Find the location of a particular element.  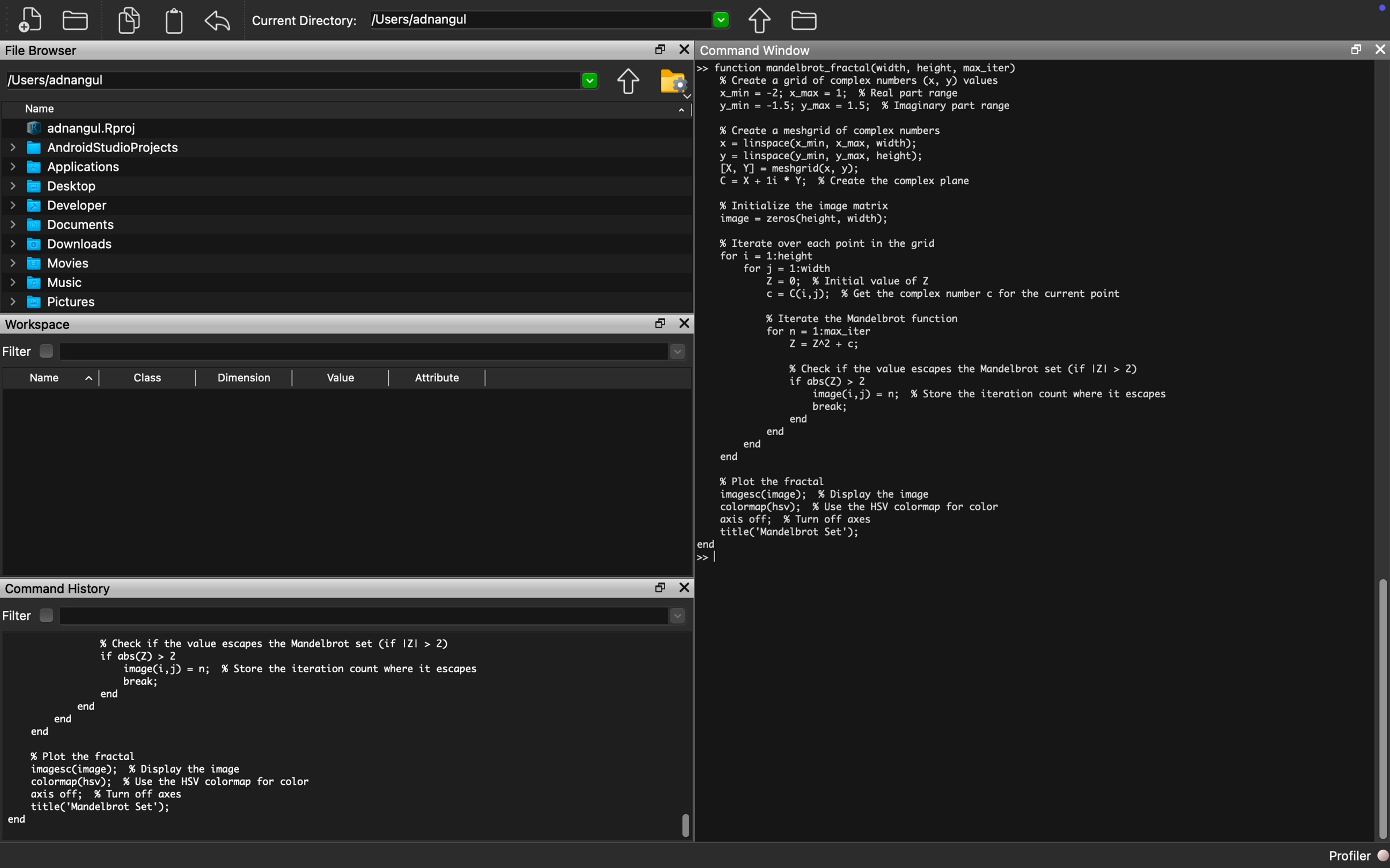

% Initialize the image matri
image = zeros(height, width); is located at coordinates (802, 212).